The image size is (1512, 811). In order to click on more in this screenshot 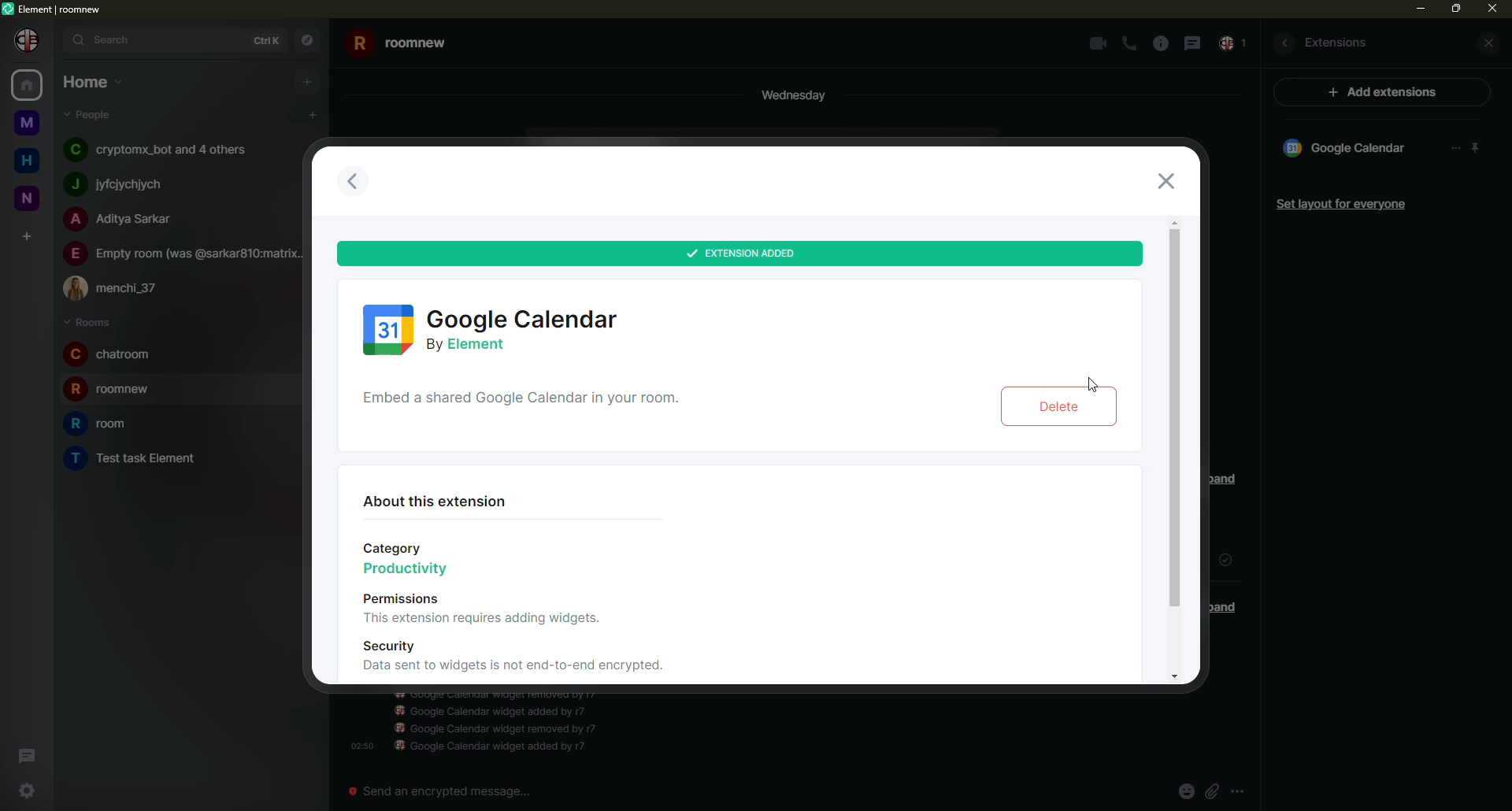, I will do `click(1236, 791)`.